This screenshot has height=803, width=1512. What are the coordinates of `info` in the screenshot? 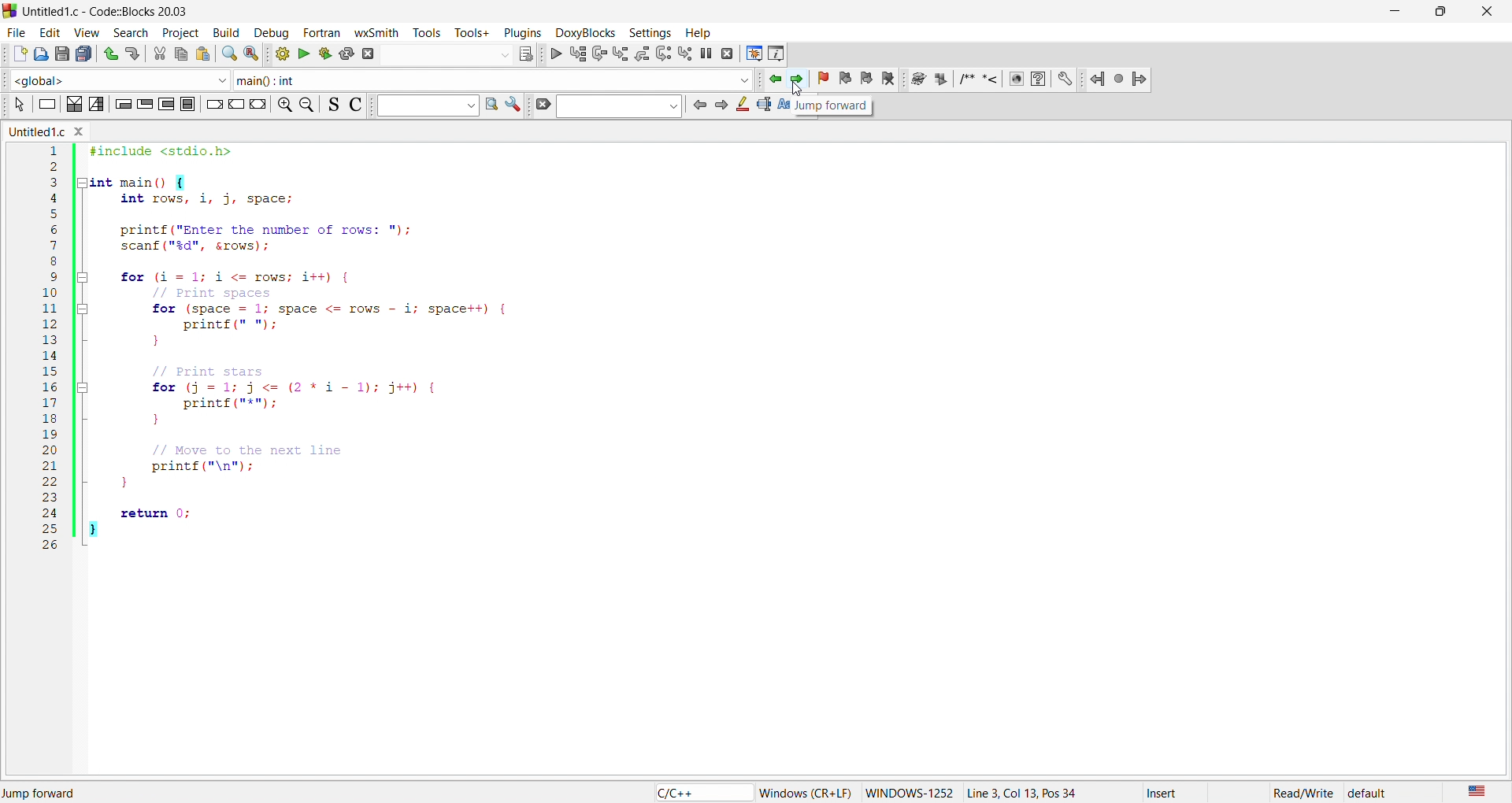 It's located at (774, 54).